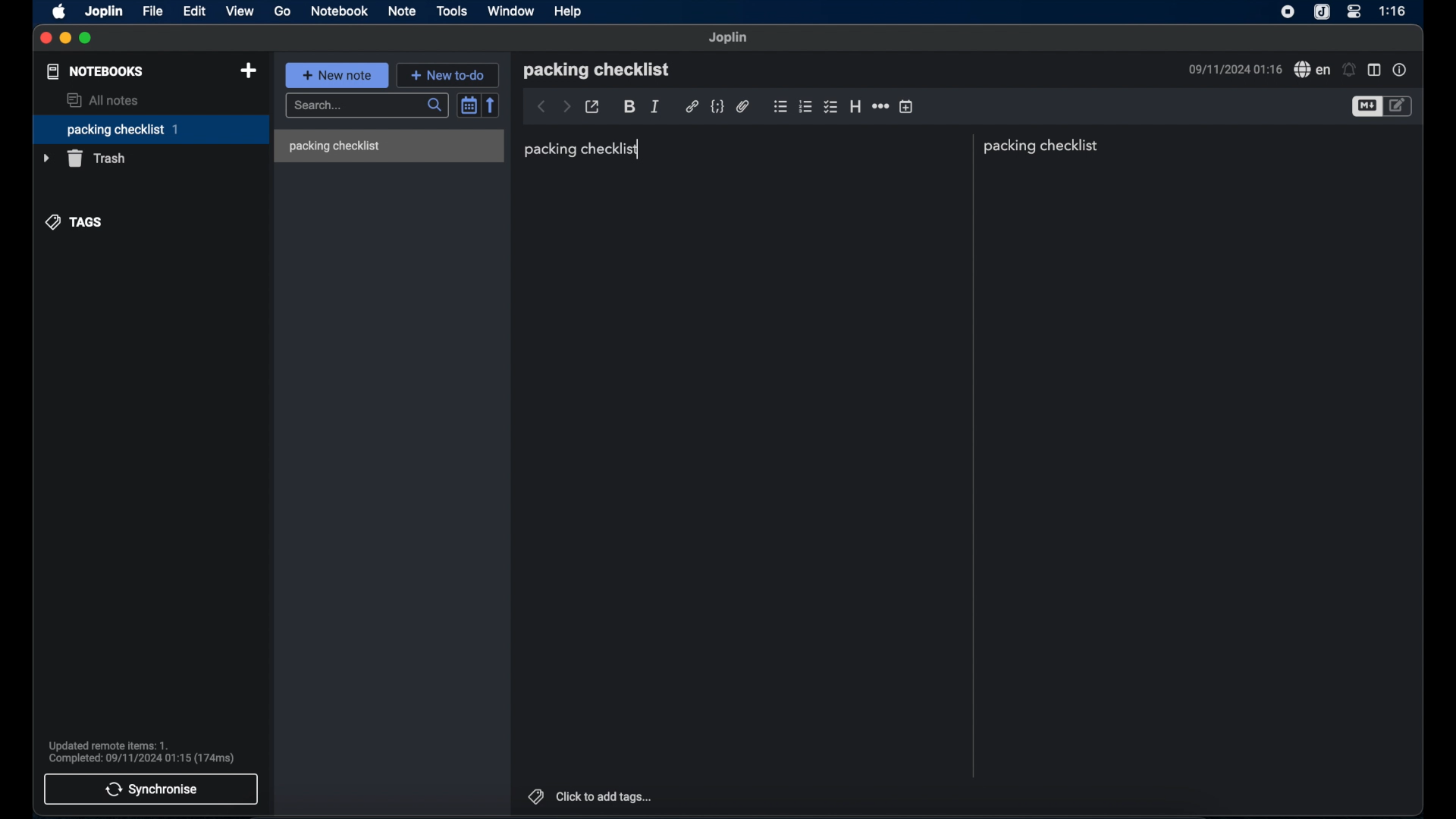 Image resolution: width=1456 pixels, height=819 pixels. What do you see at coordinates (1232, 70) in the screenshot?
I see `09/11/2024 01:16` at bounding box center [1232, 70].